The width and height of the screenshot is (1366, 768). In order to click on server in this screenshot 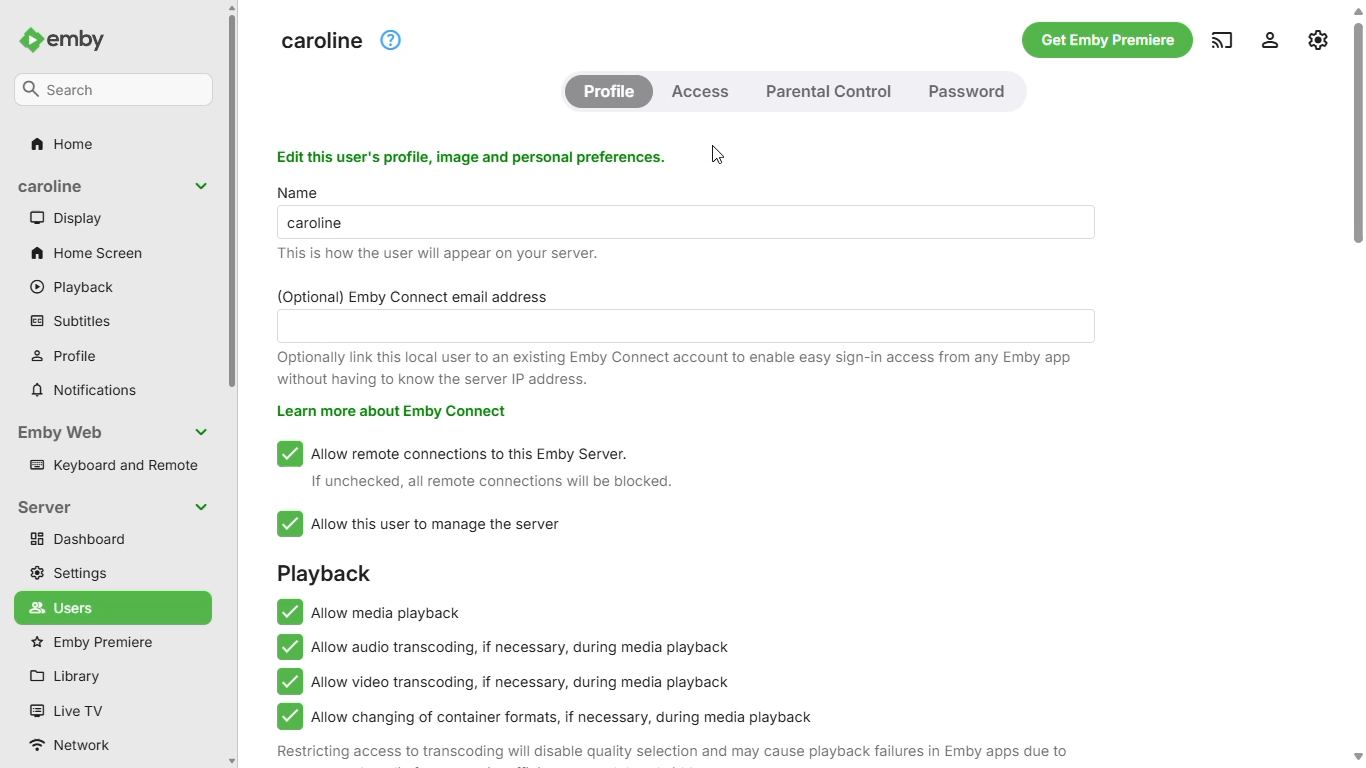, I will do `click(115, 508)`.